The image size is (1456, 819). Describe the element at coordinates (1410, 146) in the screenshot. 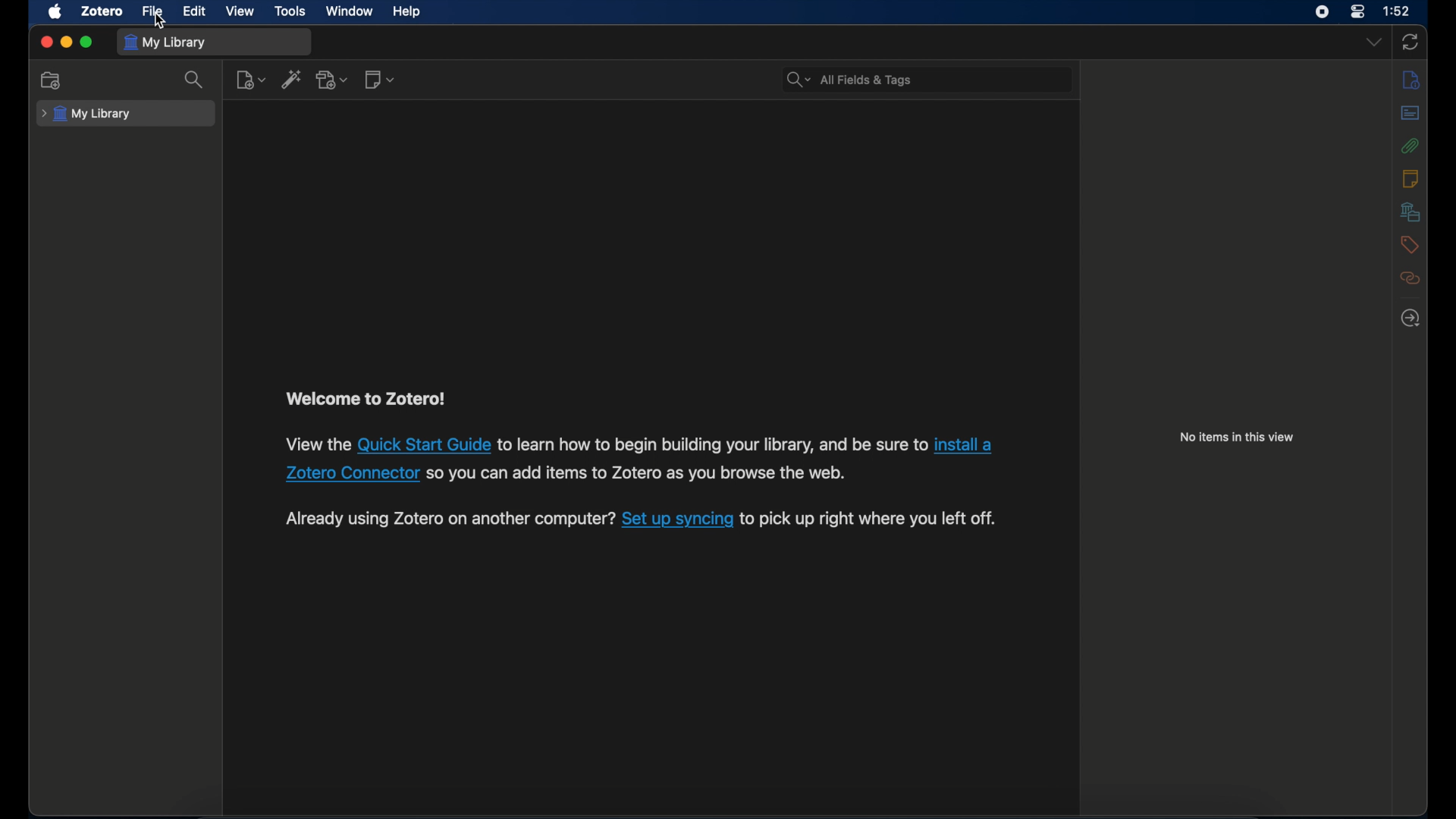

I see `attachments` at that location.